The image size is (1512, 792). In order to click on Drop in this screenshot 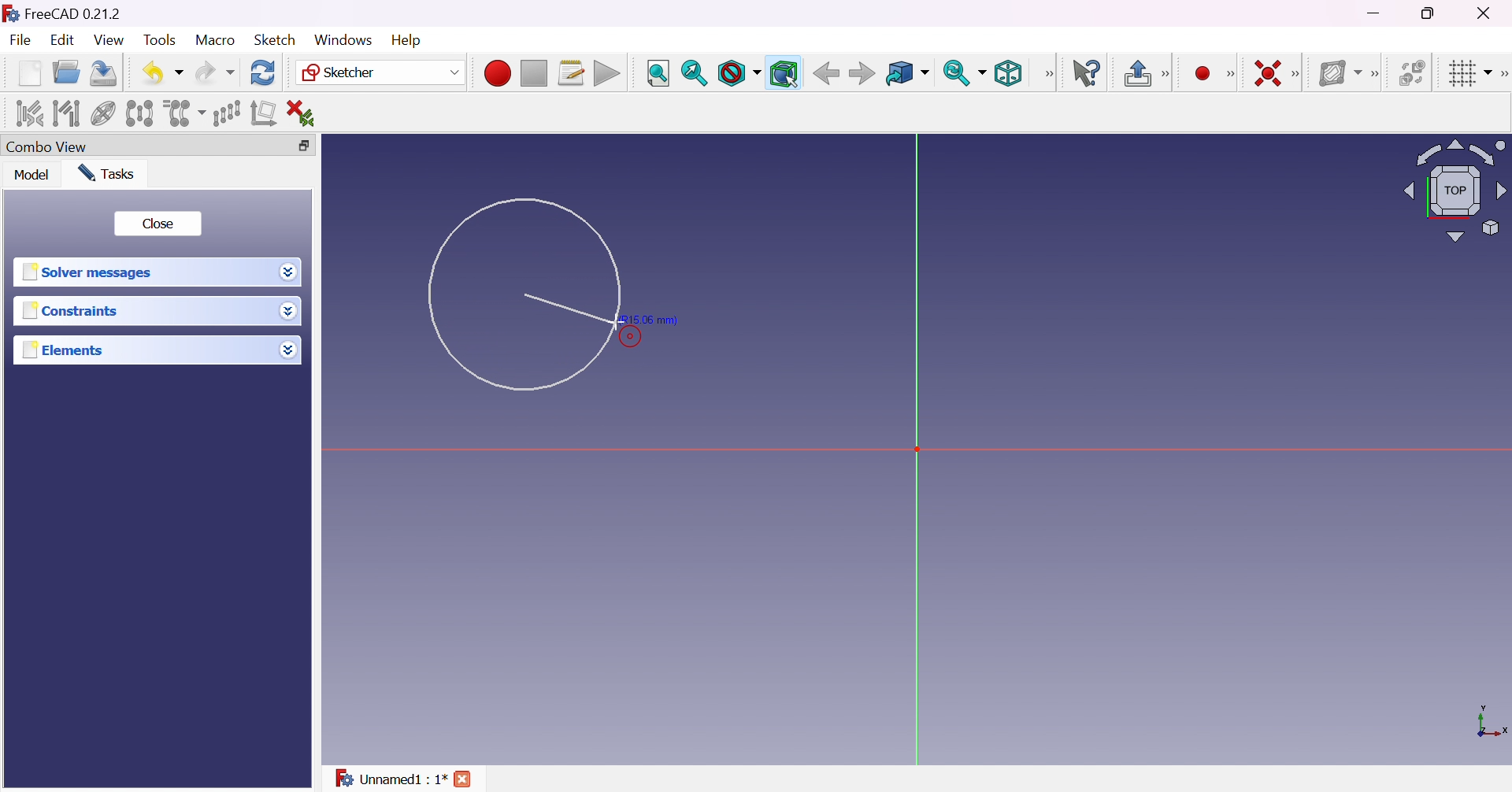, I will do `click(291, 313)`.